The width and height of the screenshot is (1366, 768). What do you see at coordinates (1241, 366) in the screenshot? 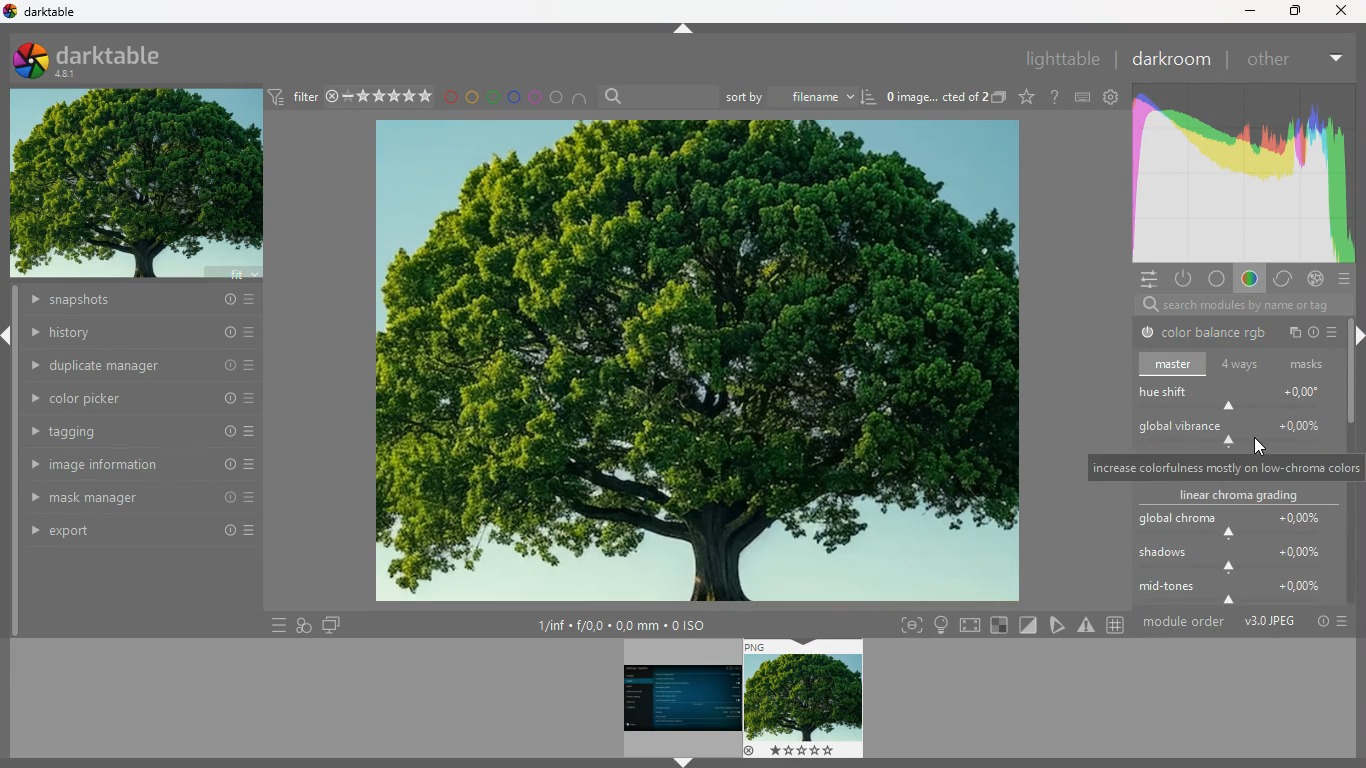
I see `4 ways` at bounding box center [1241, 366].